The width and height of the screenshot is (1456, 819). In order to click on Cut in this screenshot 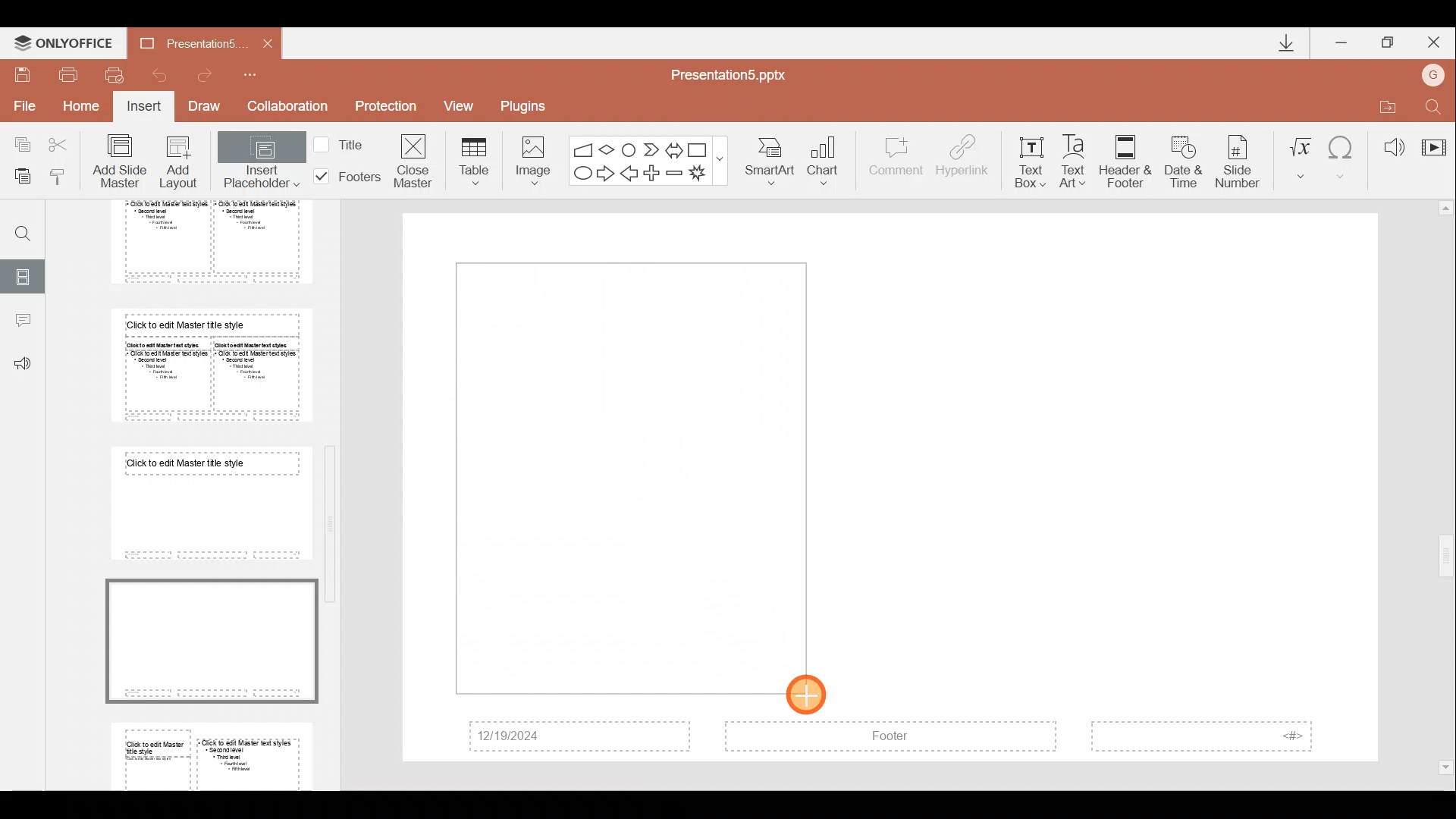, I will do `click(62, 144)`.